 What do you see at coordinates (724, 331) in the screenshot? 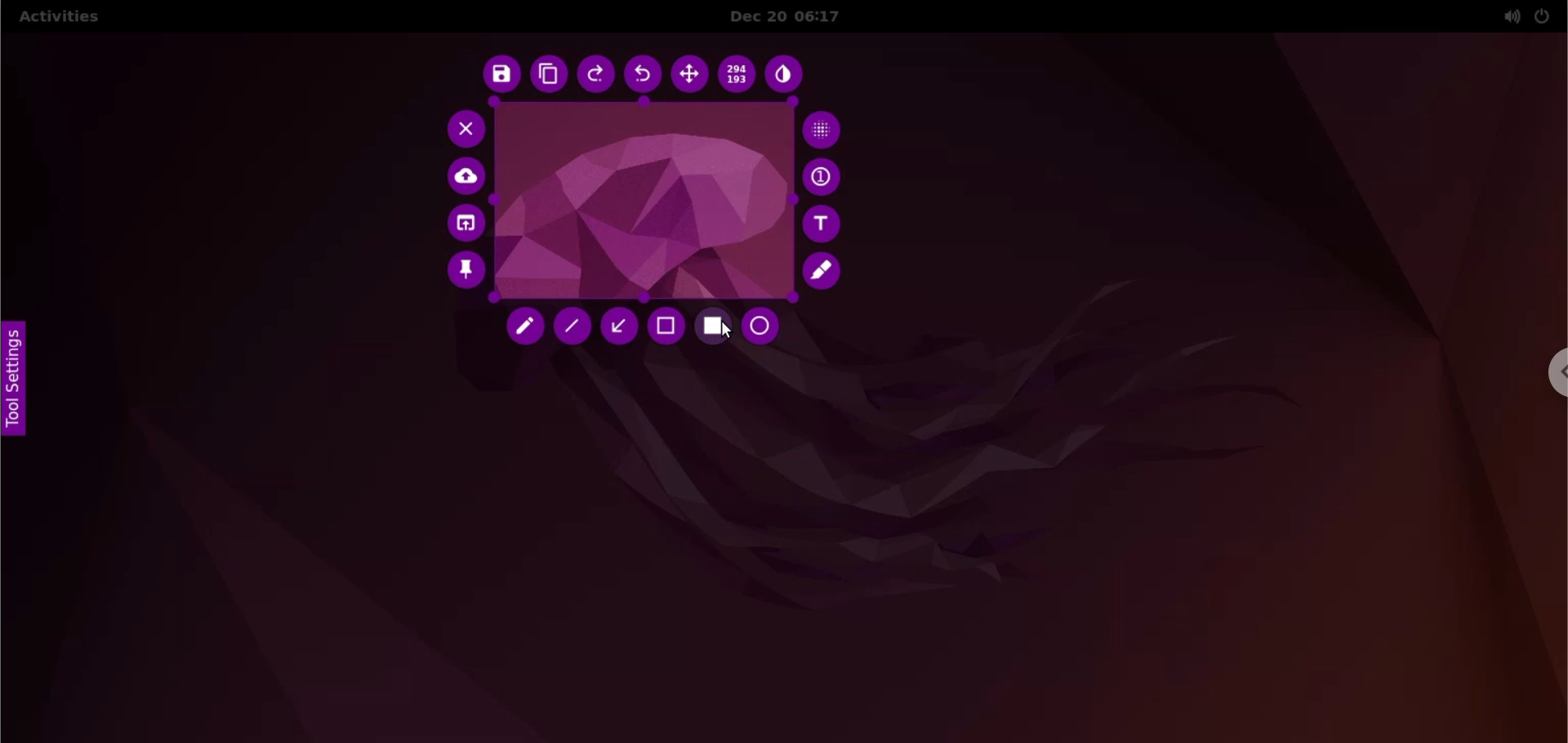
I see `cursor` at bounding box center [724, 331].